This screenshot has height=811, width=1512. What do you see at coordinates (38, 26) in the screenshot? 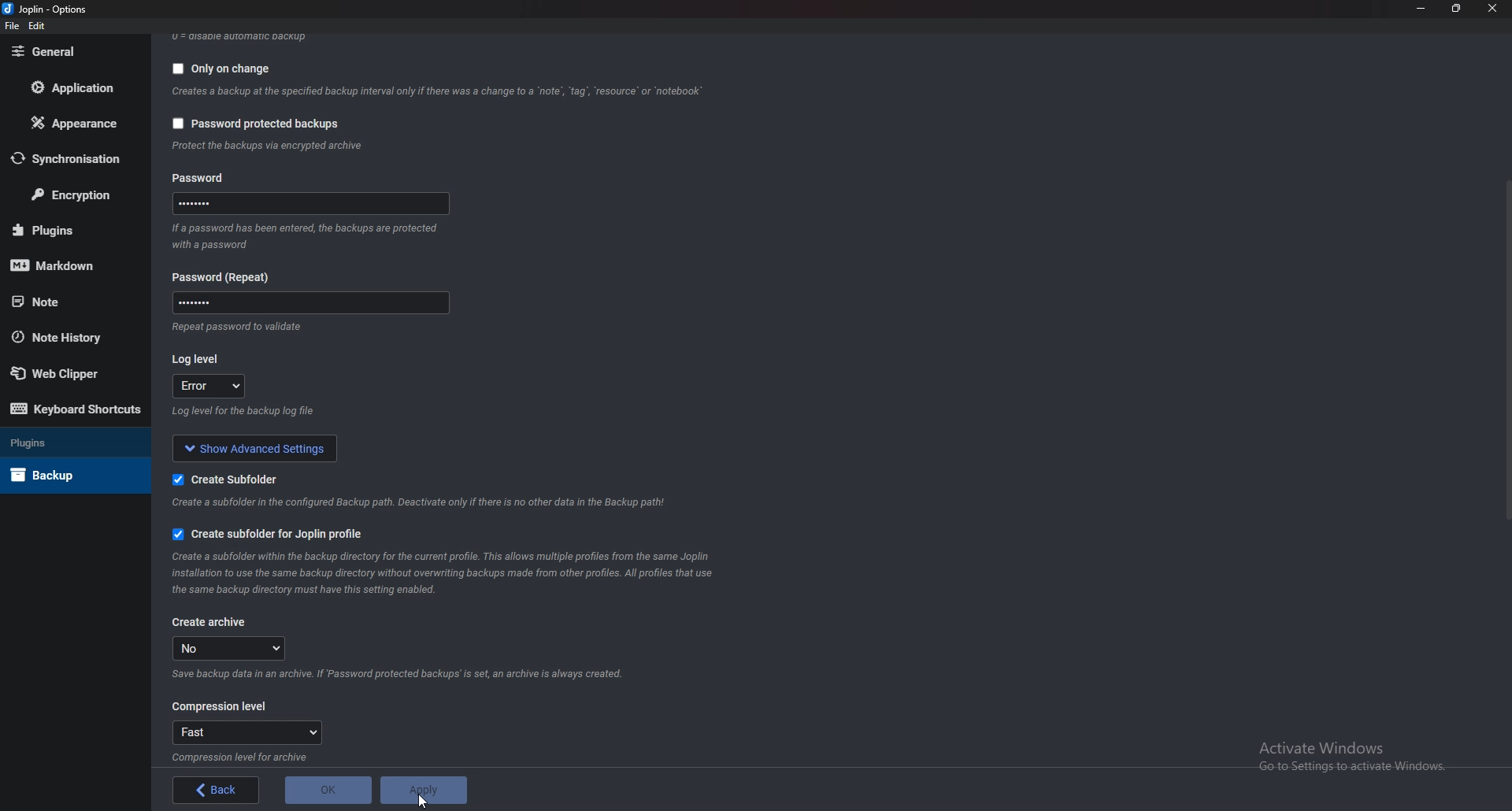
I see `edit` at bounding box center [38, 26].